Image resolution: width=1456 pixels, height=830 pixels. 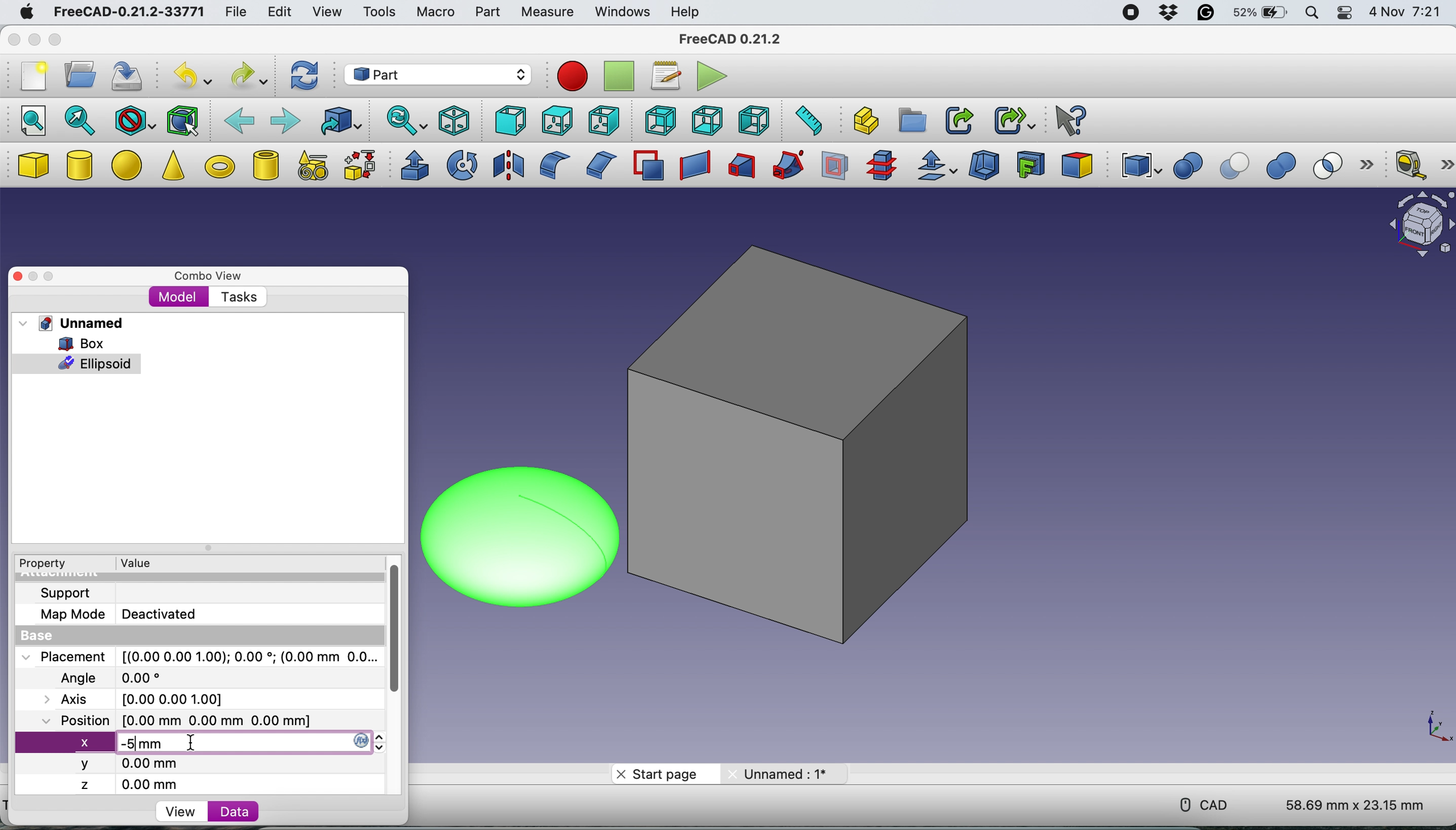 What do you see at coordinates (32, 40) in the screenshot?
I see `minimise` at bounding box center [32, 40].